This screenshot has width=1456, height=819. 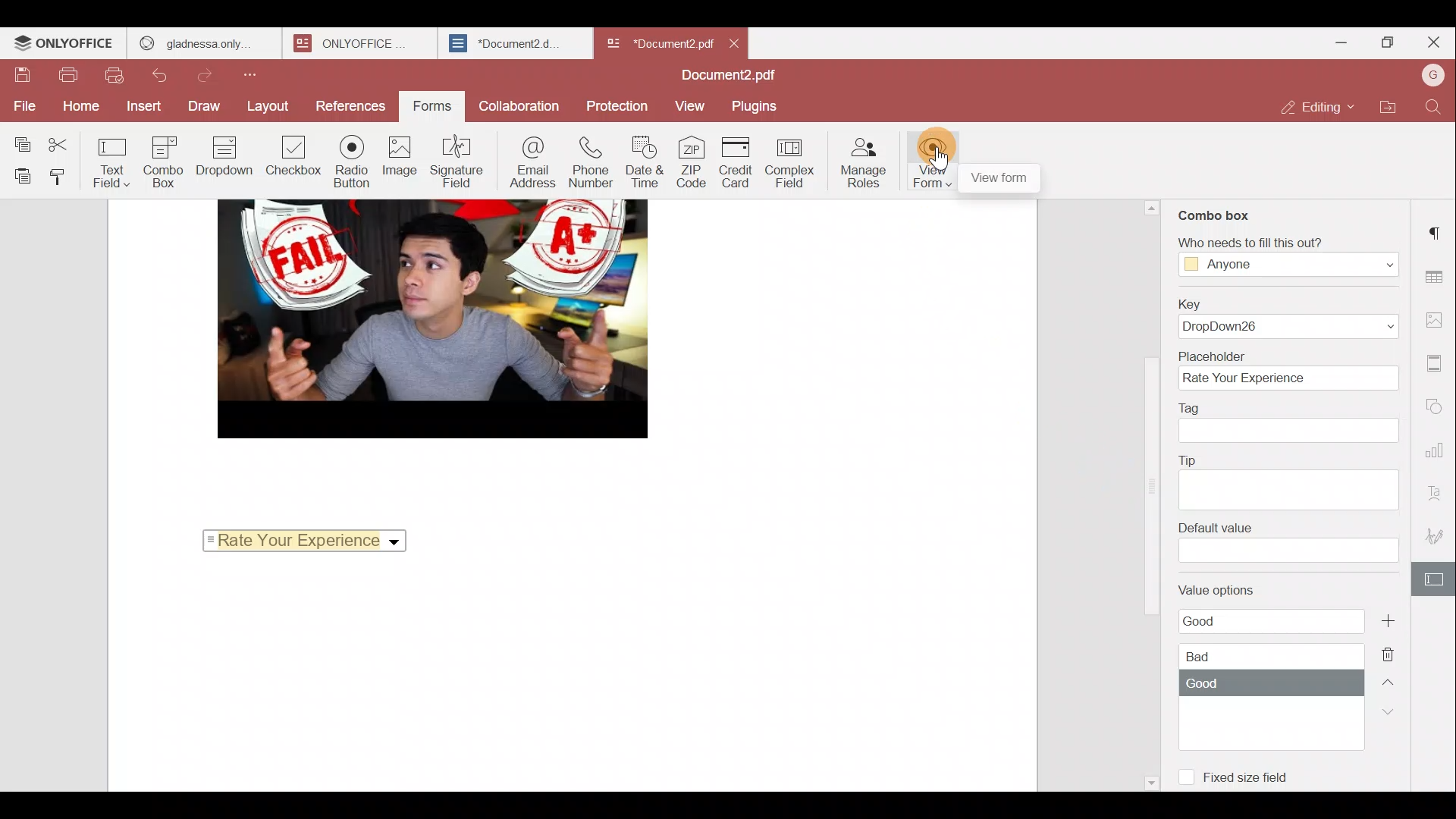 What do you see at coordinates (290, 158) in the screenshot?
I see `Checkbox` at bounding box center [290, 158].